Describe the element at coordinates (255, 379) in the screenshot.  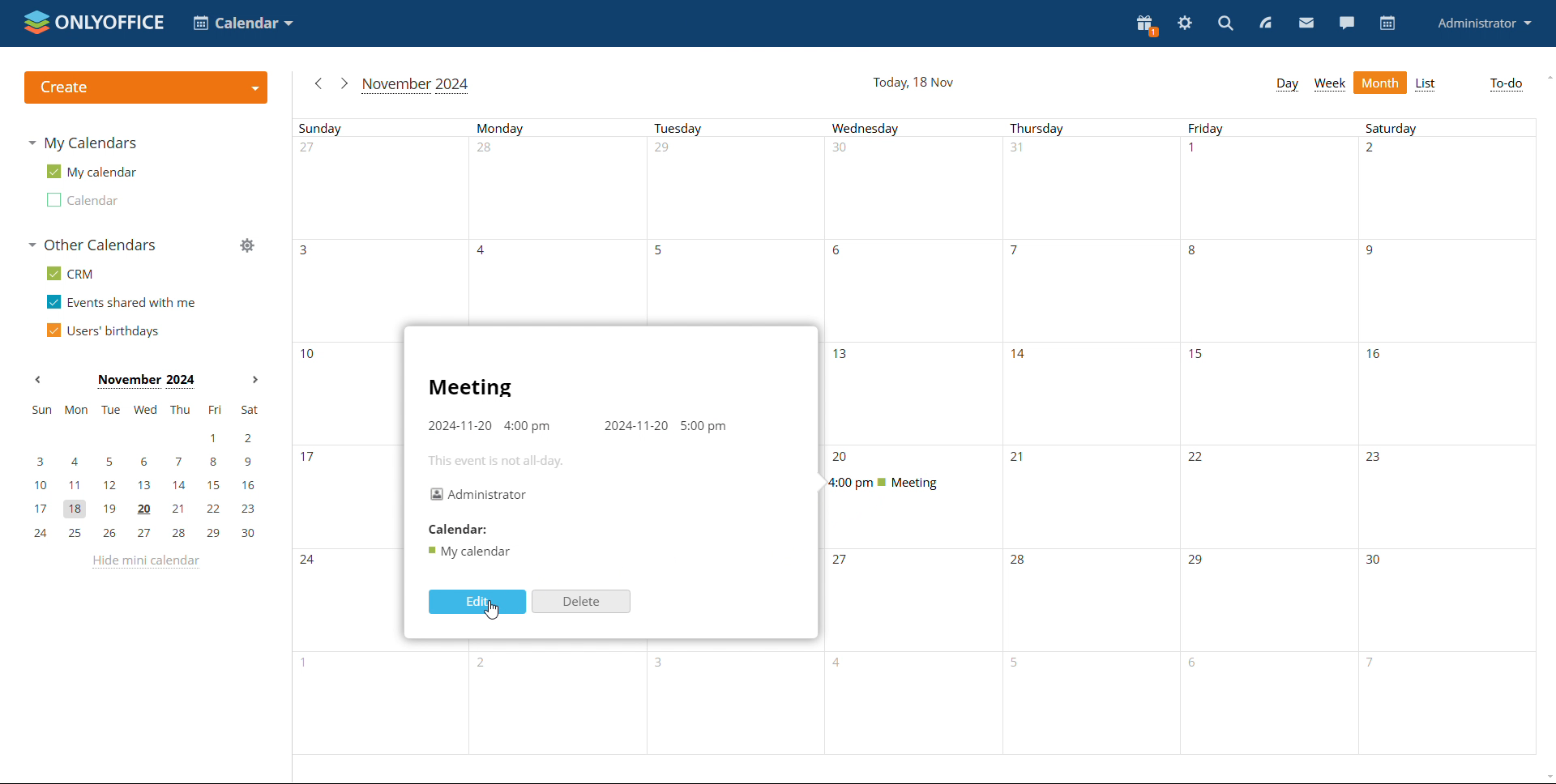
I see `next month` at that location.